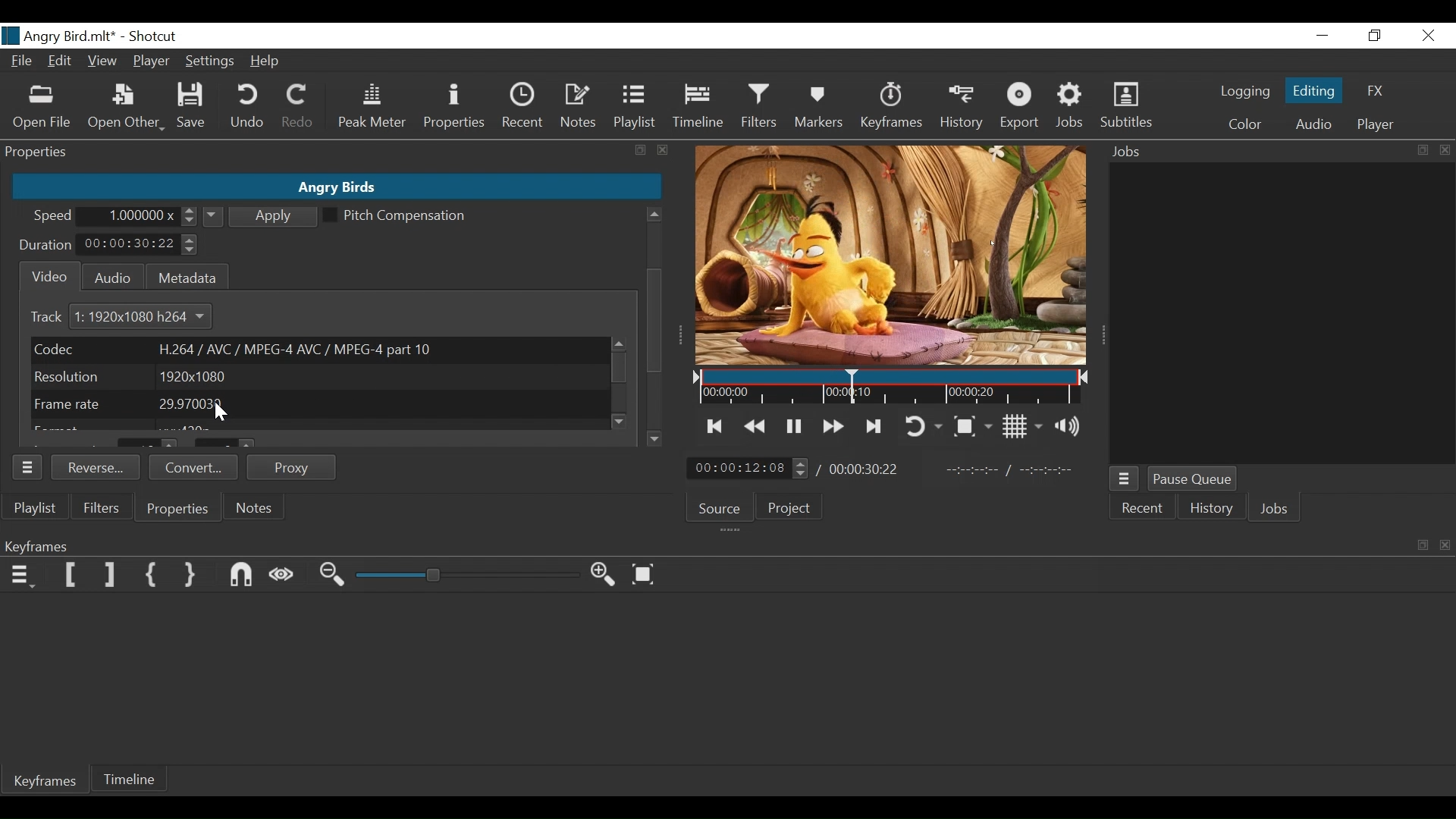 Image resolution: width=1456 pixels, height=819 pixels. What do you see at coordinates (453, 108) in the screenshot?
I see `Properties` at bounding box center [453, 108].